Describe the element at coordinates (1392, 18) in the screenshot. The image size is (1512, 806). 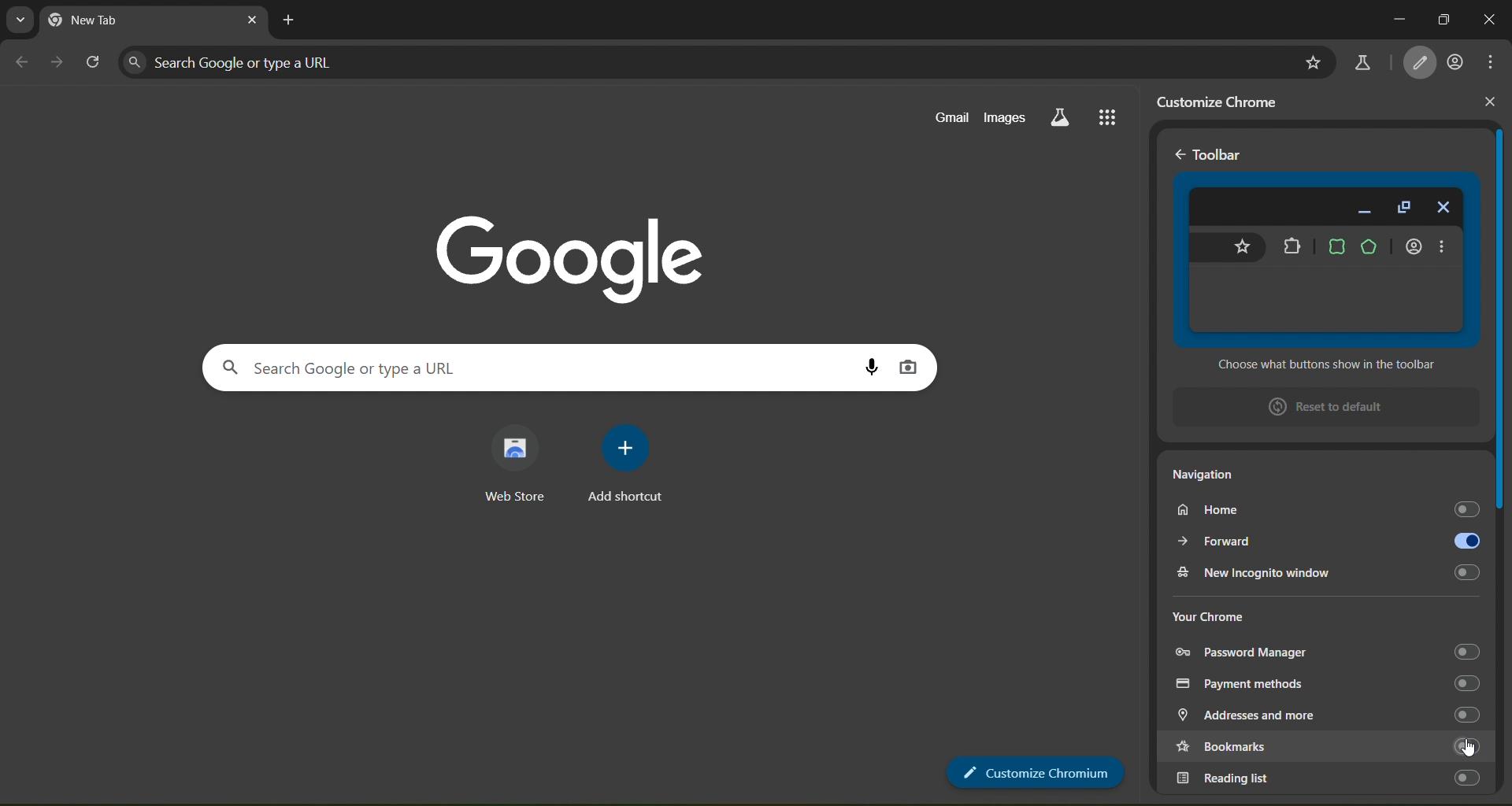
I see `minimize` at that location.